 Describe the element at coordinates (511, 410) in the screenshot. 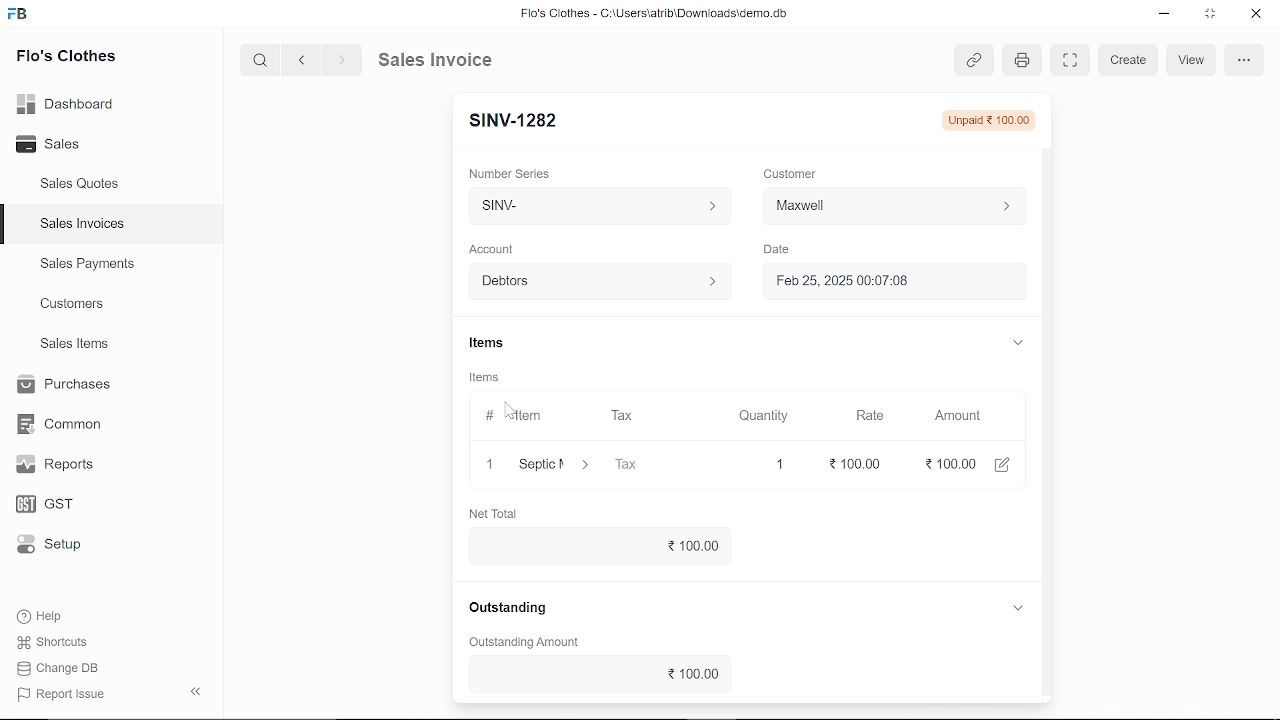

I see `cursor` at that location.